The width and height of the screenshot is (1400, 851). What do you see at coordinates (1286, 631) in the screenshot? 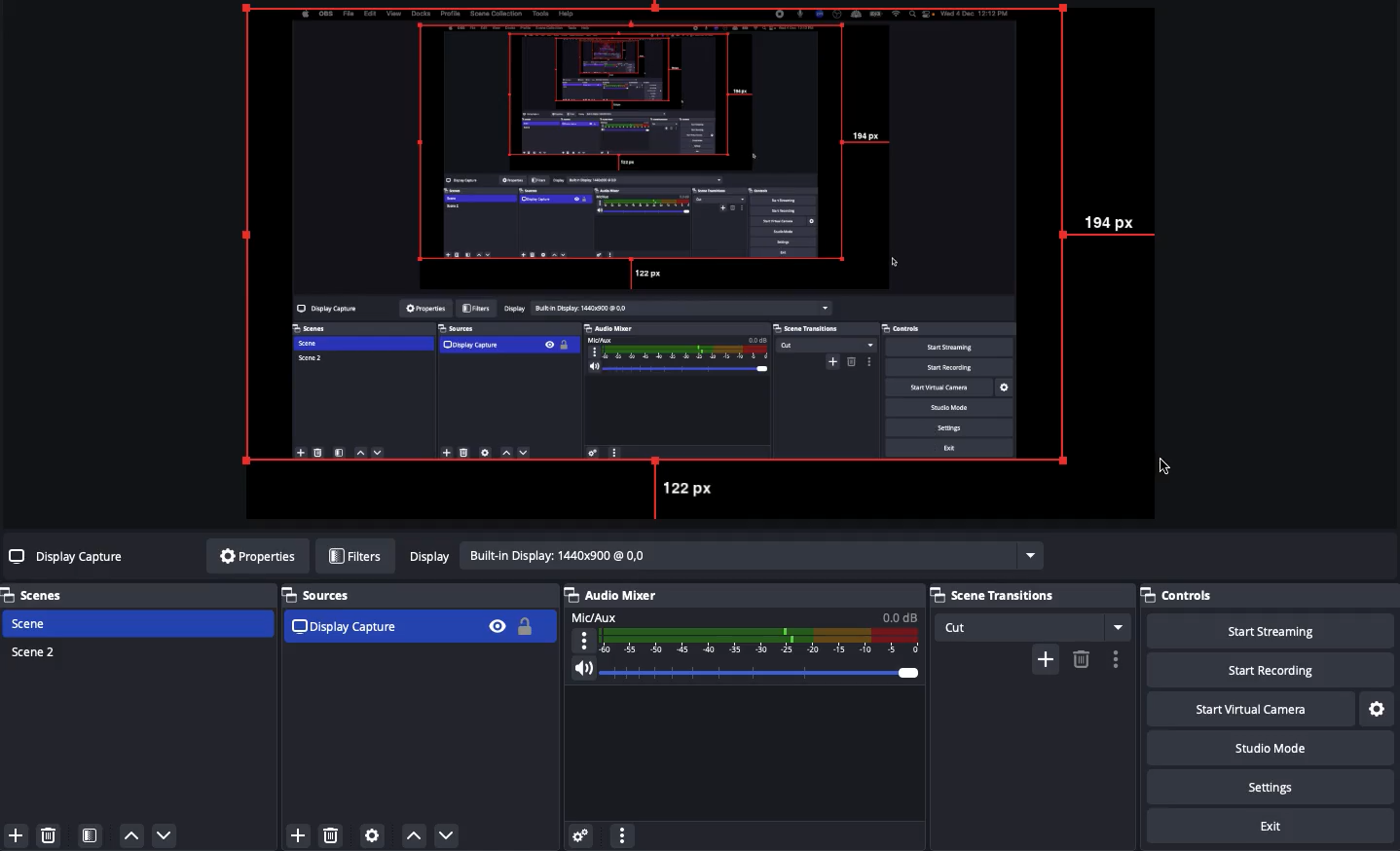
I see `Start streaming` at bounding box center [1286, 631].